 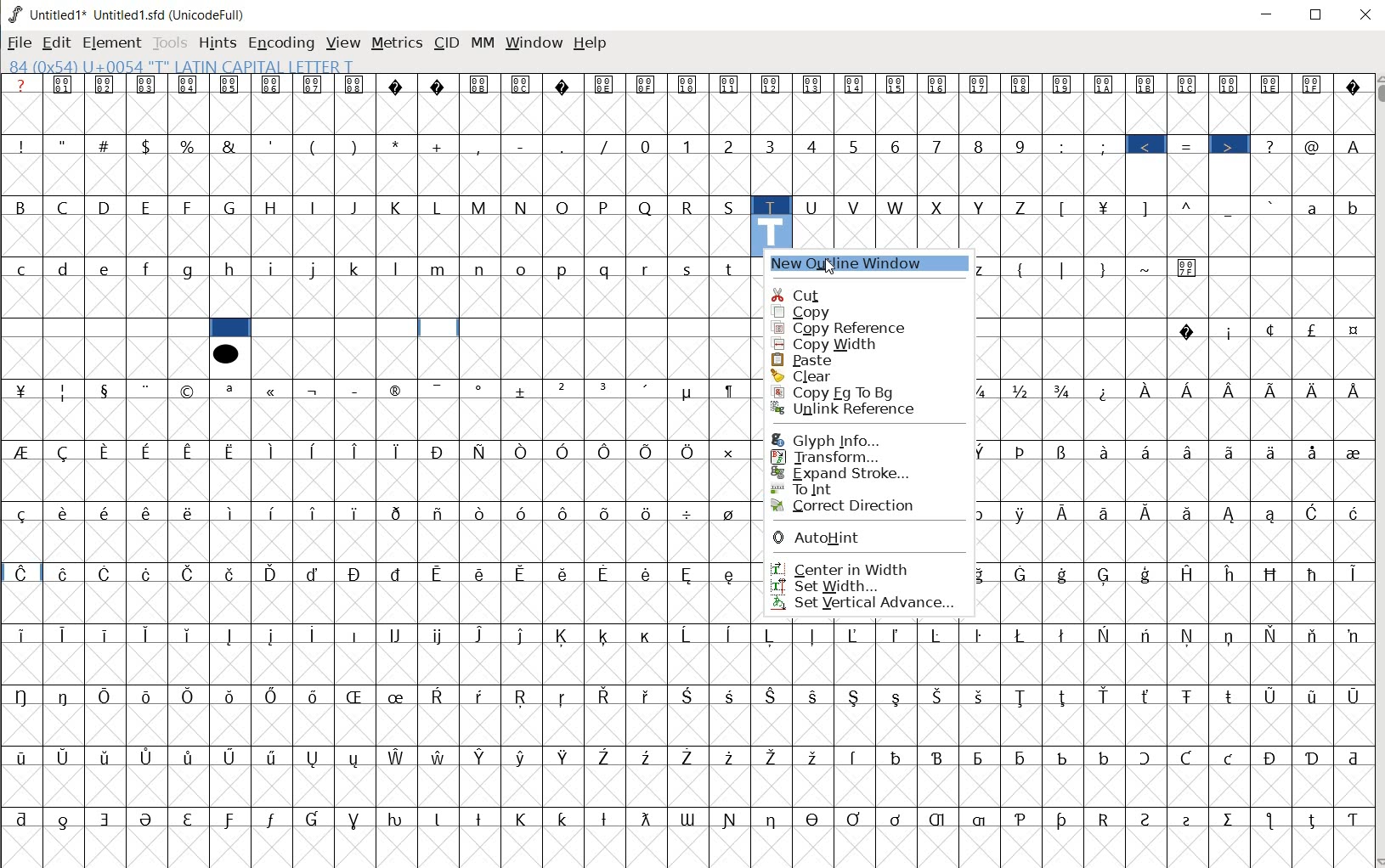 I want to click on Symbol, so click(x=940, y=819).